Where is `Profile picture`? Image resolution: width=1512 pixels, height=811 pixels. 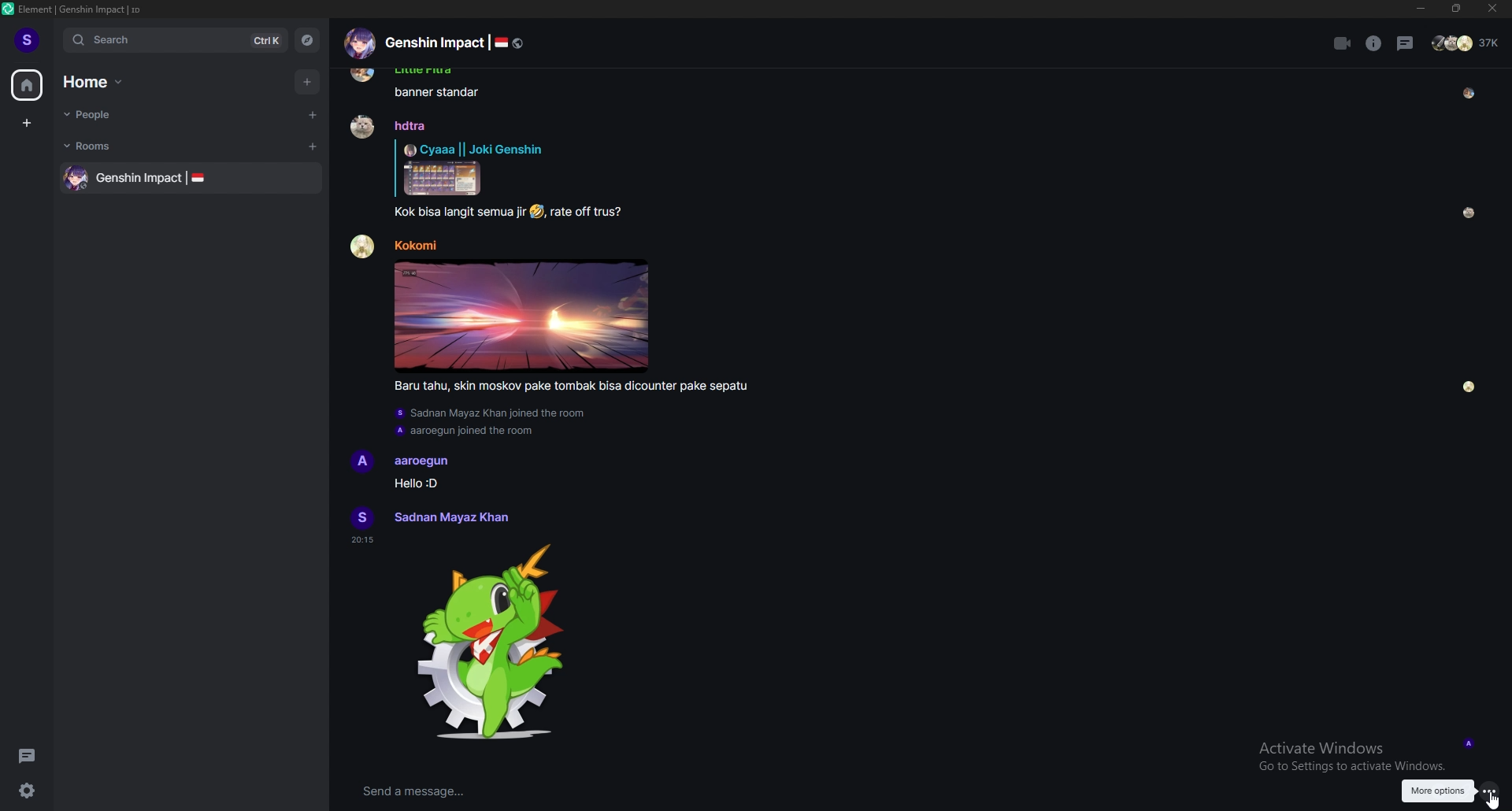
Profile picture is located at coordinates (362, 461).